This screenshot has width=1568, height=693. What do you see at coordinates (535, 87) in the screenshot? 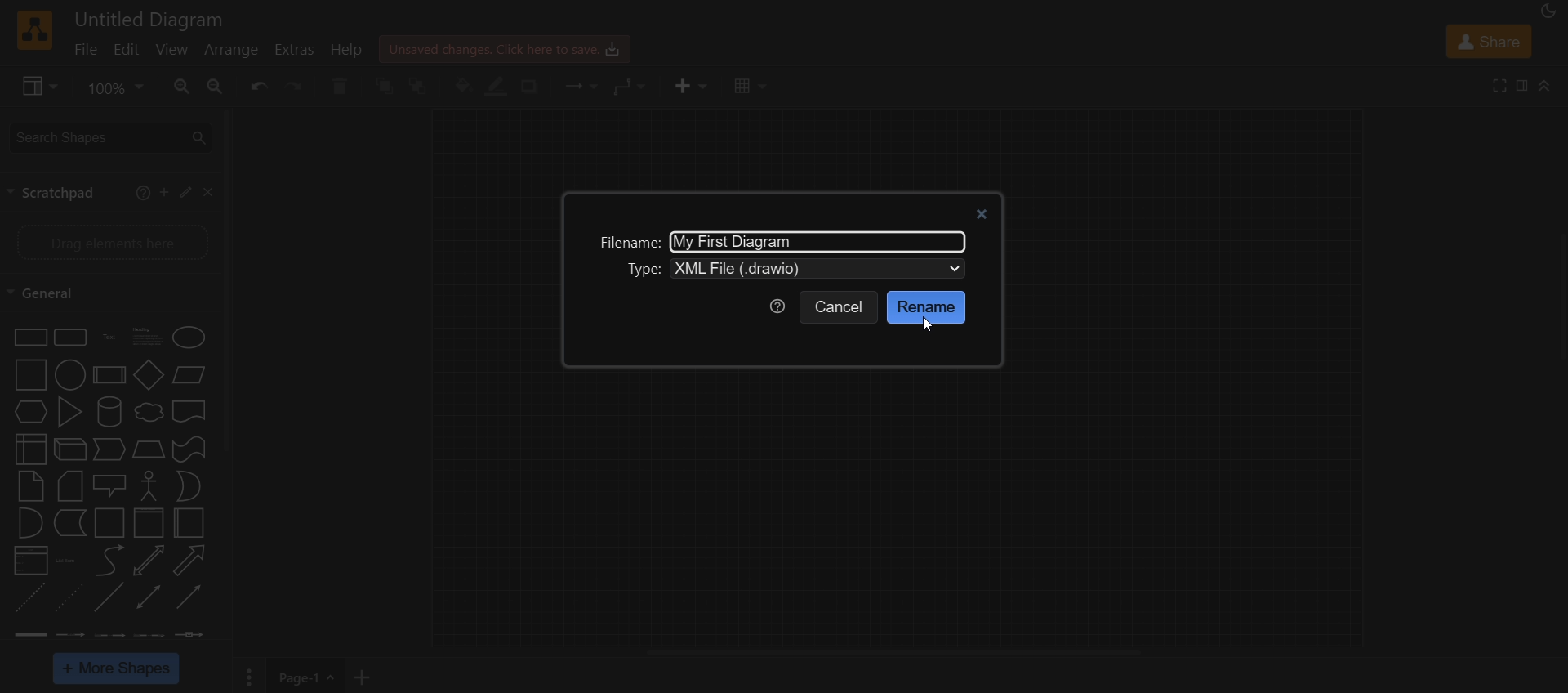
I see `shadow` at bounding box center [535, 87].